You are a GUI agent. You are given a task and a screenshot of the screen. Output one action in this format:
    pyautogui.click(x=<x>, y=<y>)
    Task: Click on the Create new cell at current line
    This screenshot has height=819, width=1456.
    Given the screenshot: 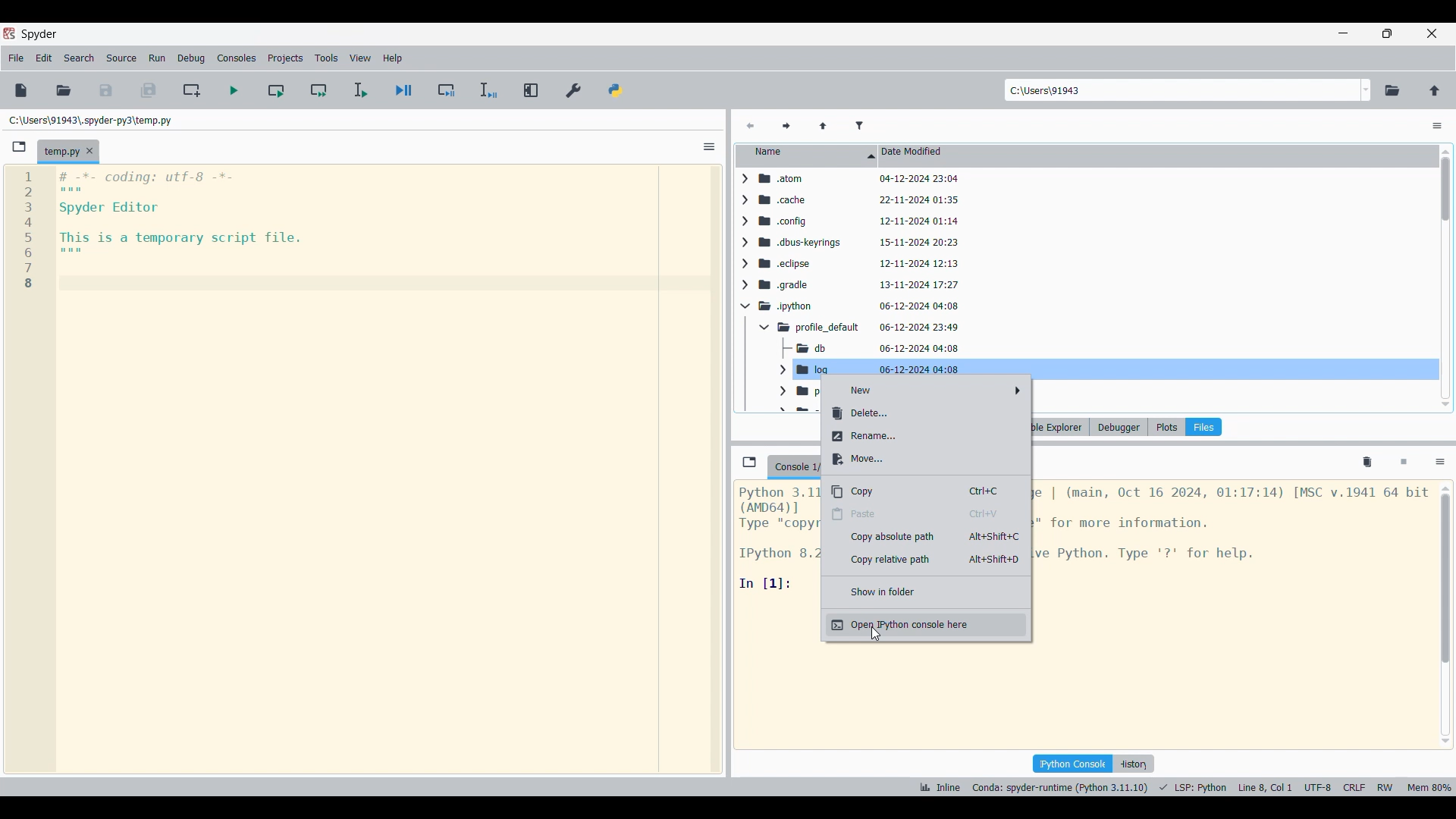 What is the action you would take?
    pyautogui.click(x=190, y=90)
    